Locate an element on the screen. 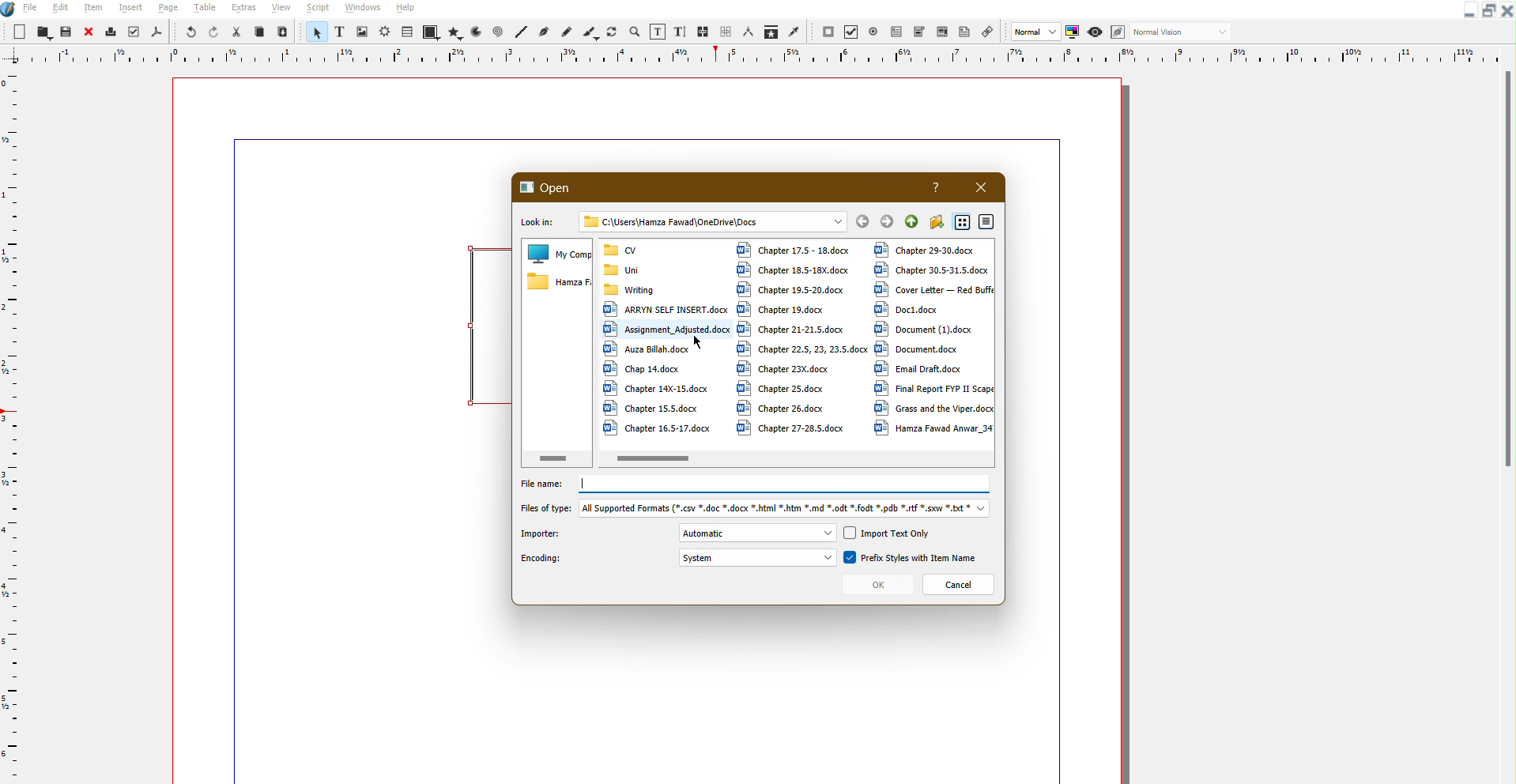 Image resolution: width=1516 pixels, height=784 pixels. Save is located at coordinates (67, 33).